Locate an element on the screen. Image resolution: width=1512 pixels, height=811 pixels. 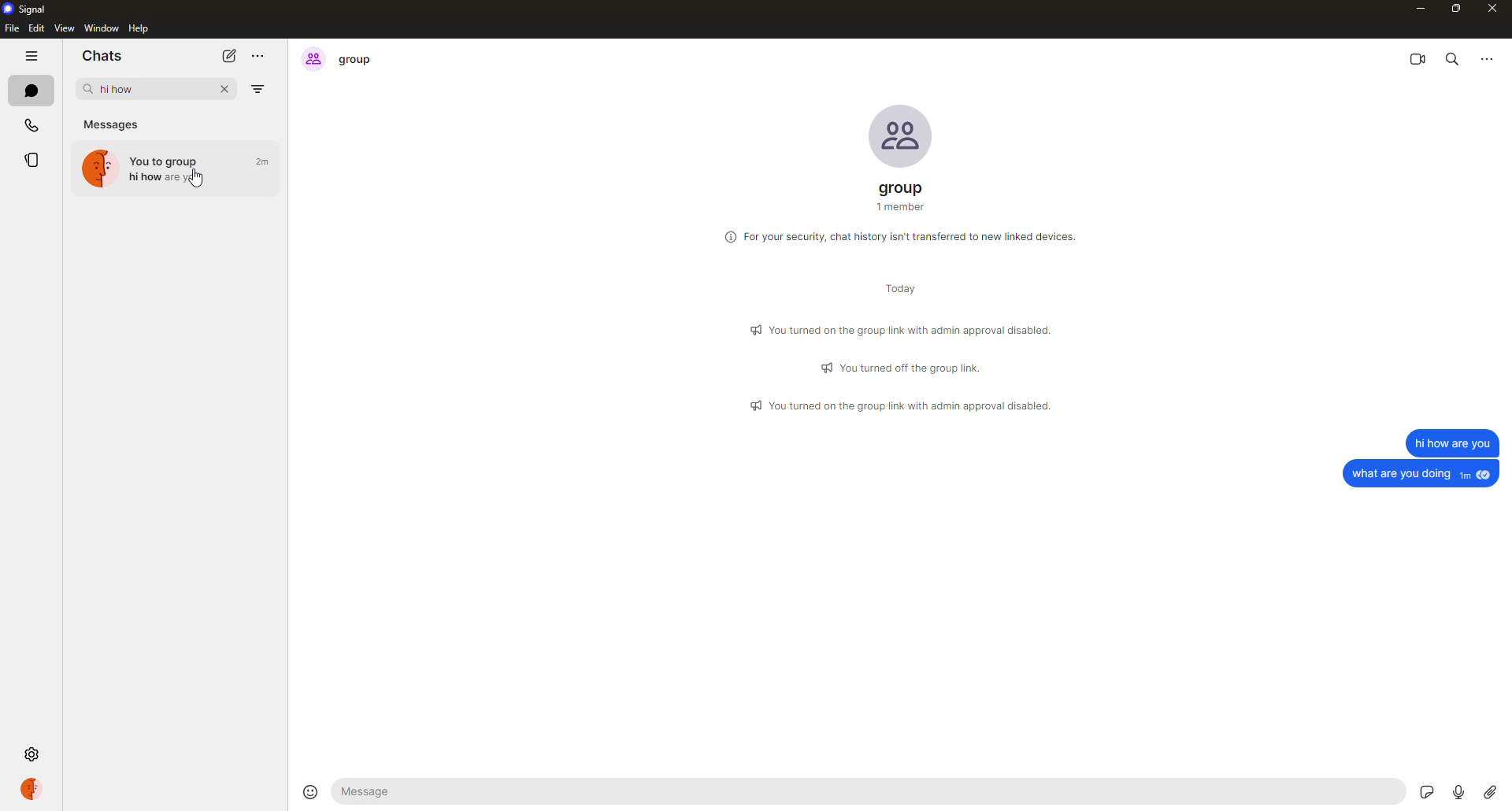
info is located at coordinates (904, 328).